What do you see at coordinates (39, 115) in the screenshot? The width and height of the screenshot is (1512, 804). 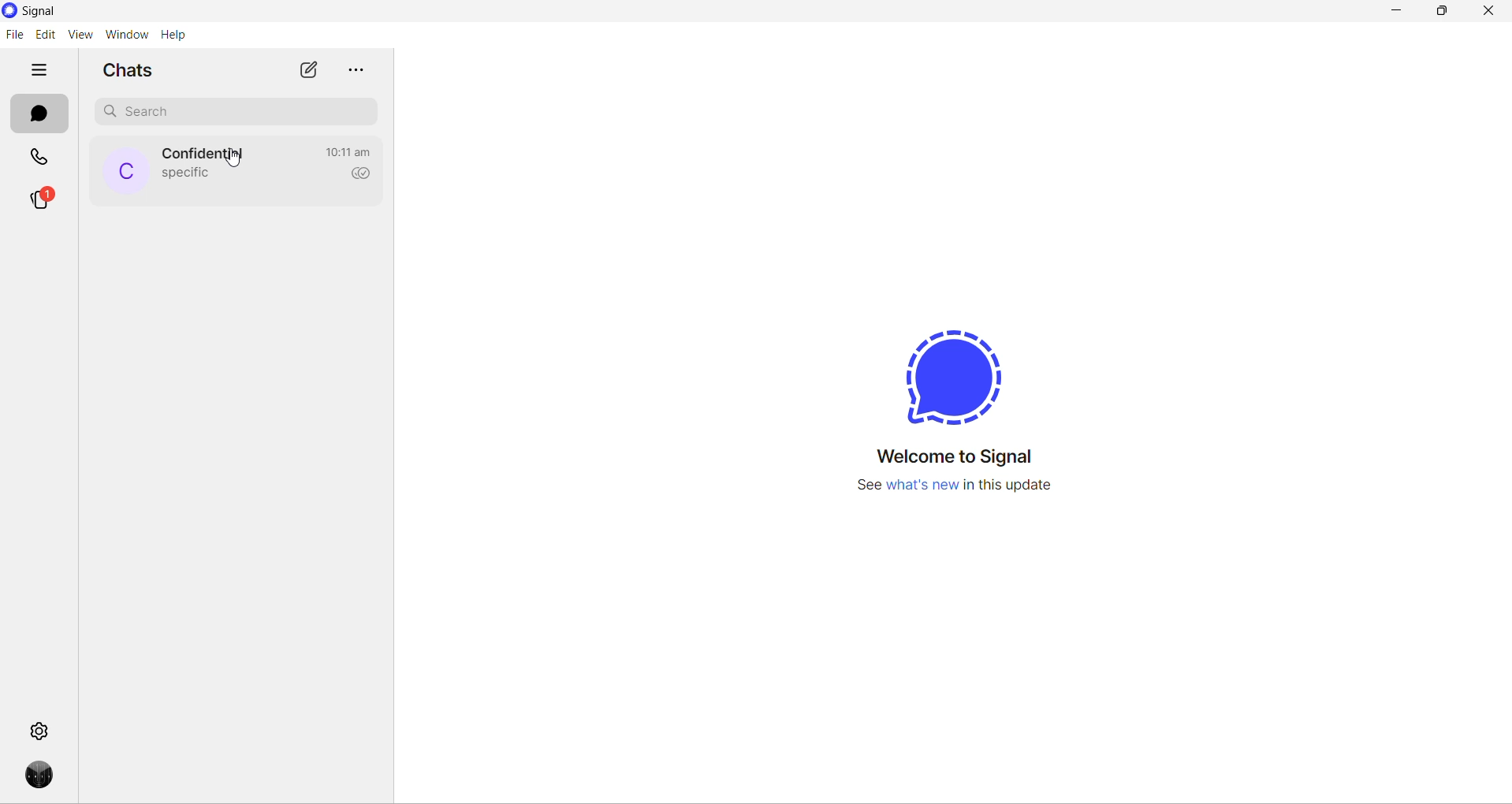 I see `chats` at bounding box center [39, 115].